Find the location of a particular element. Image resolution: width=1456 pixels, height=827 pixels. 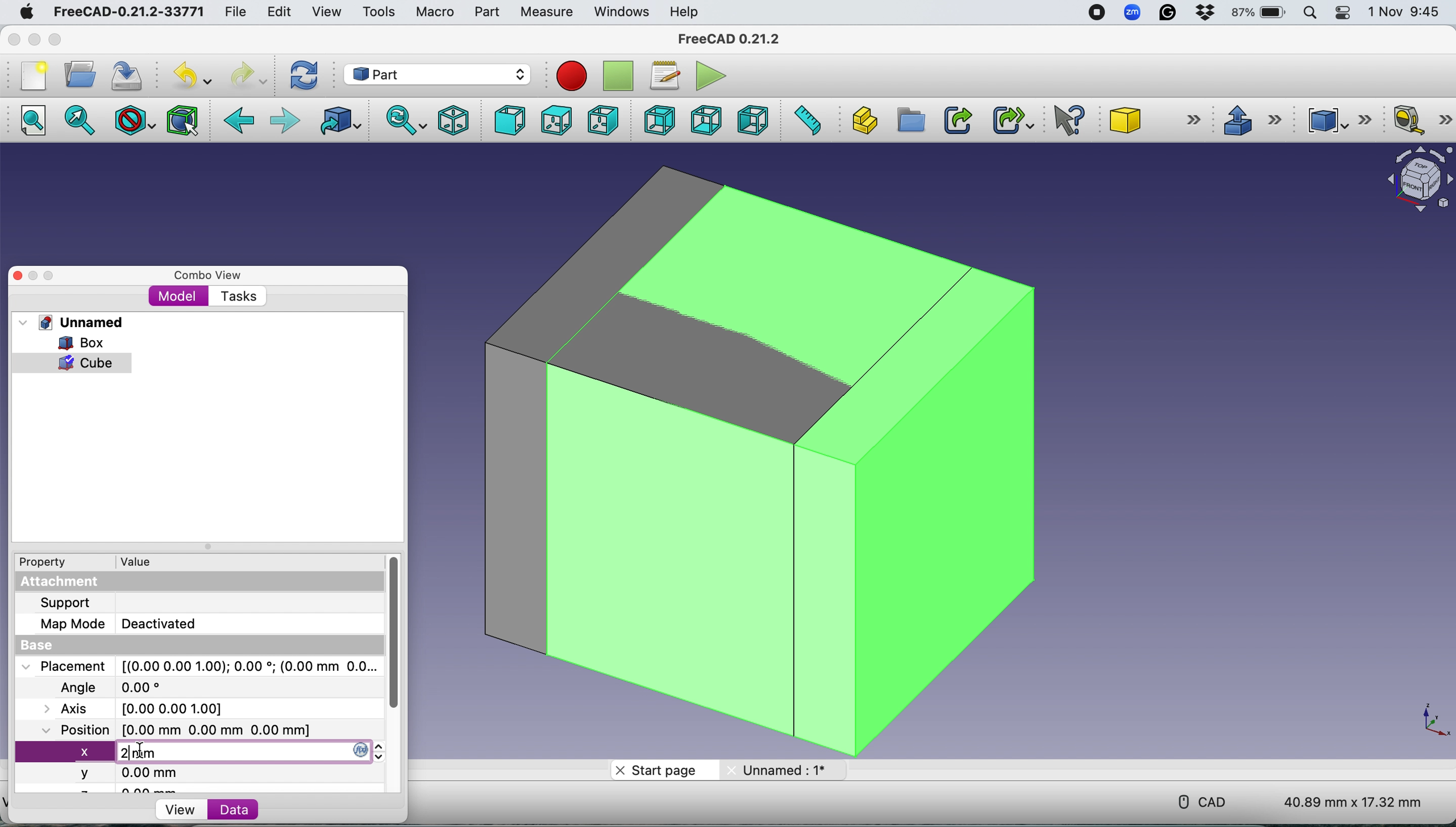

Help is located at coordinates (685, 11).